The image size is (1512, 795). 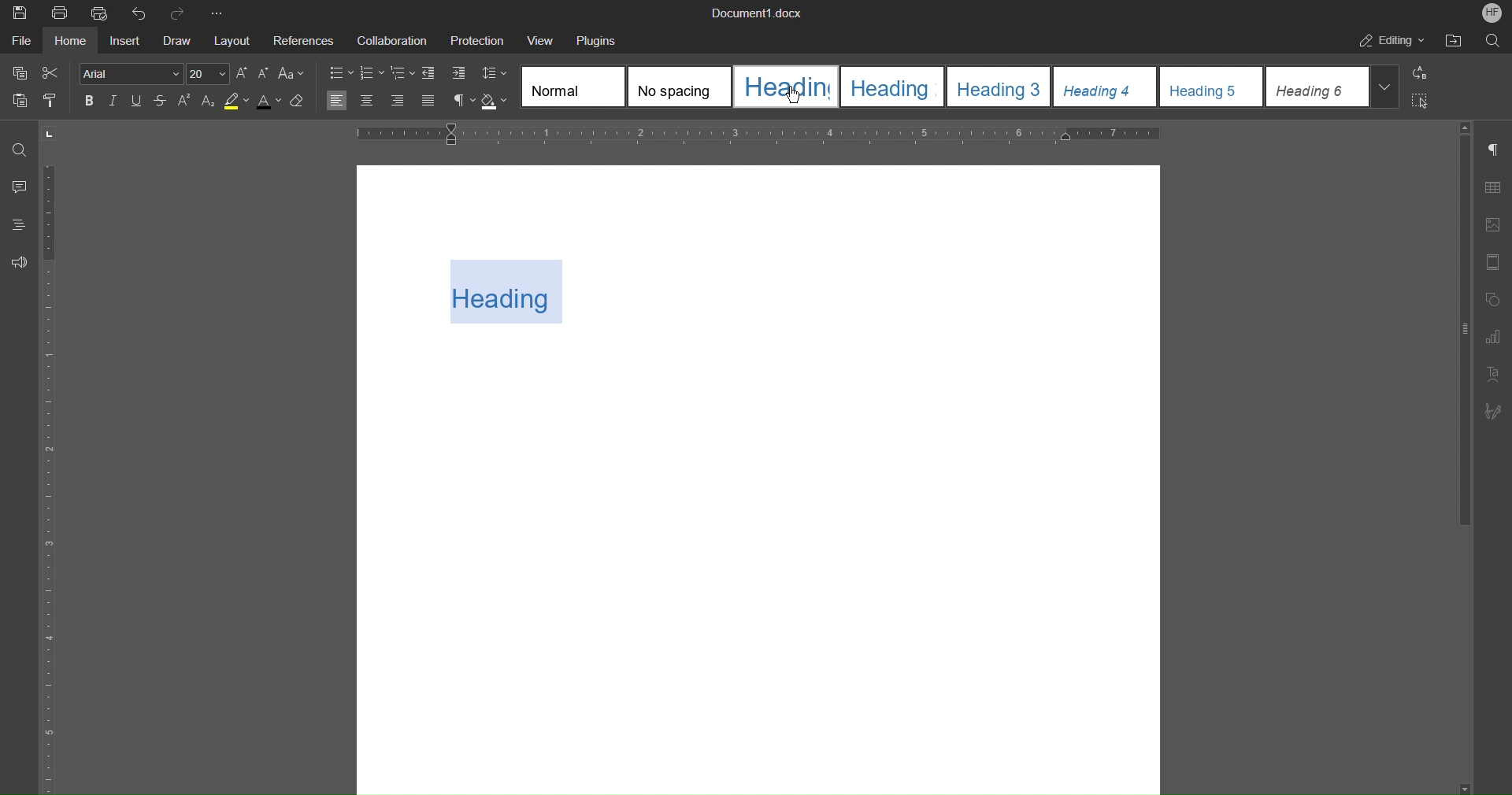 I want to click on Redo, so click(x=178, y=13).